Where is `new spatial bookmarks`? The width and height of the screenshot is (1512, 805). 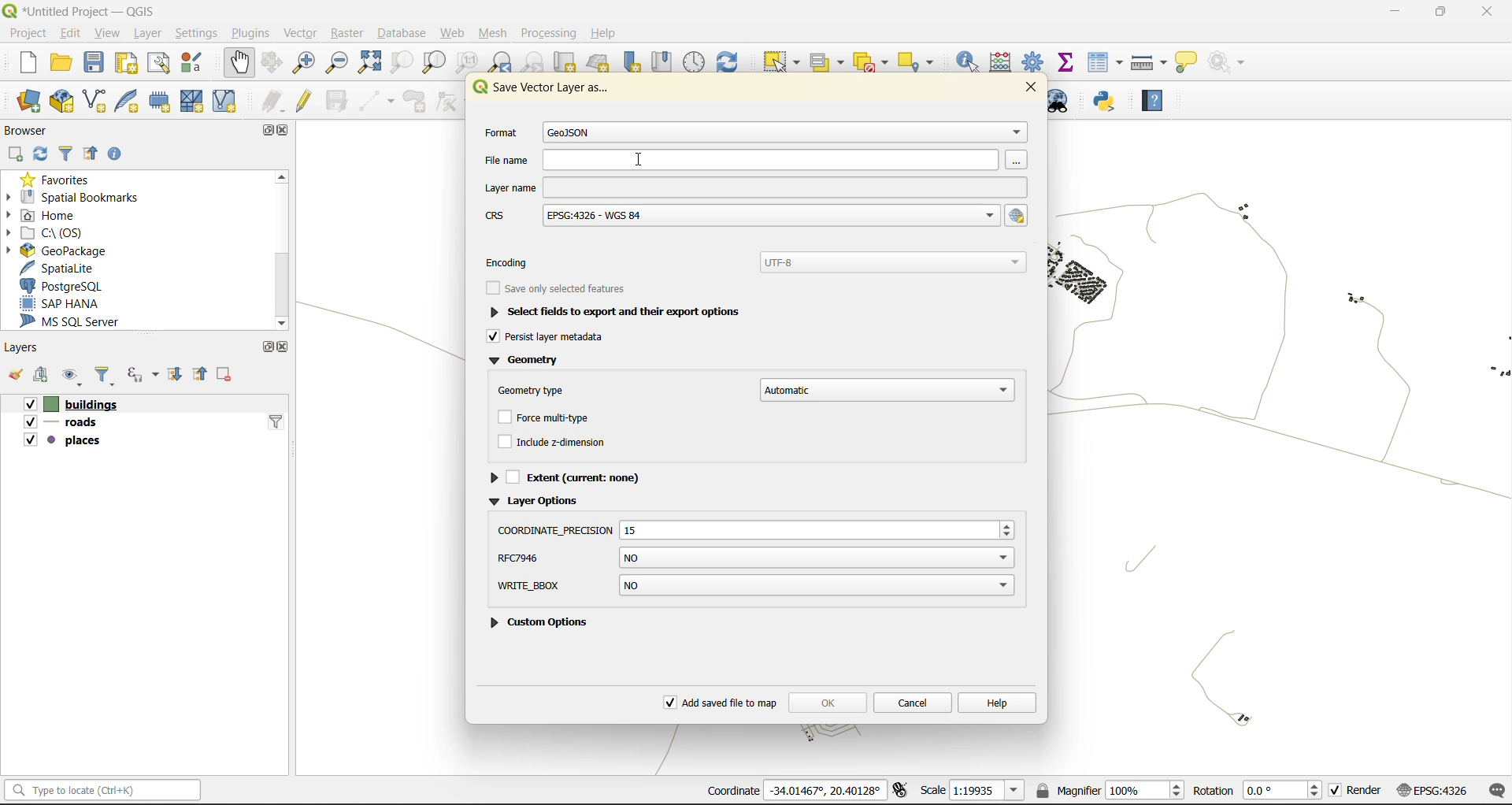 new spatial bookmarks is located at coordinates (629, 63).